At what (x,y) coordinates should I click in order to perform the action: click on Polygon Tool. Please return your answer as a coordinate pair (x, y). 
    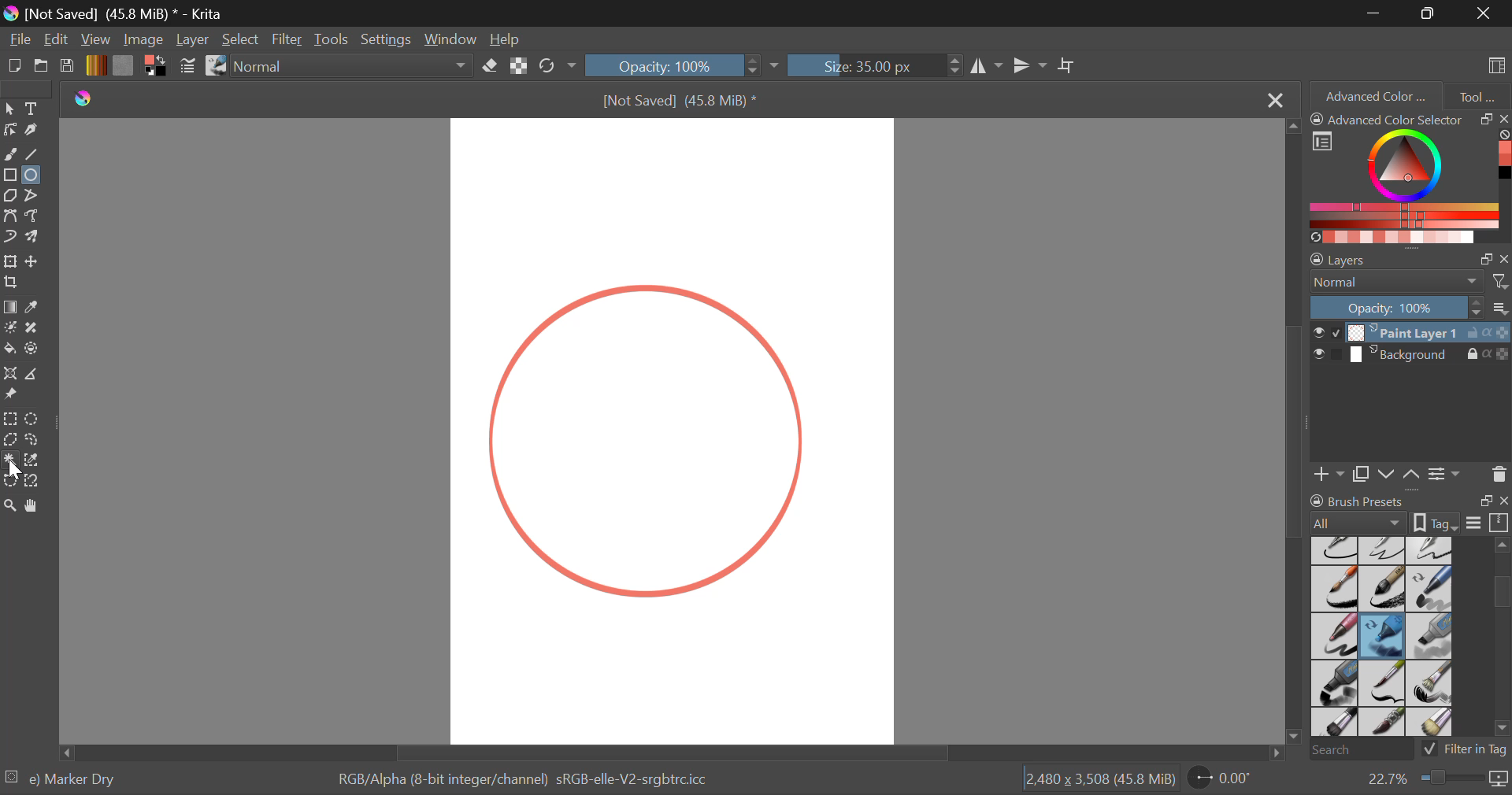
    Looking at the image, I should click on (9, 196).